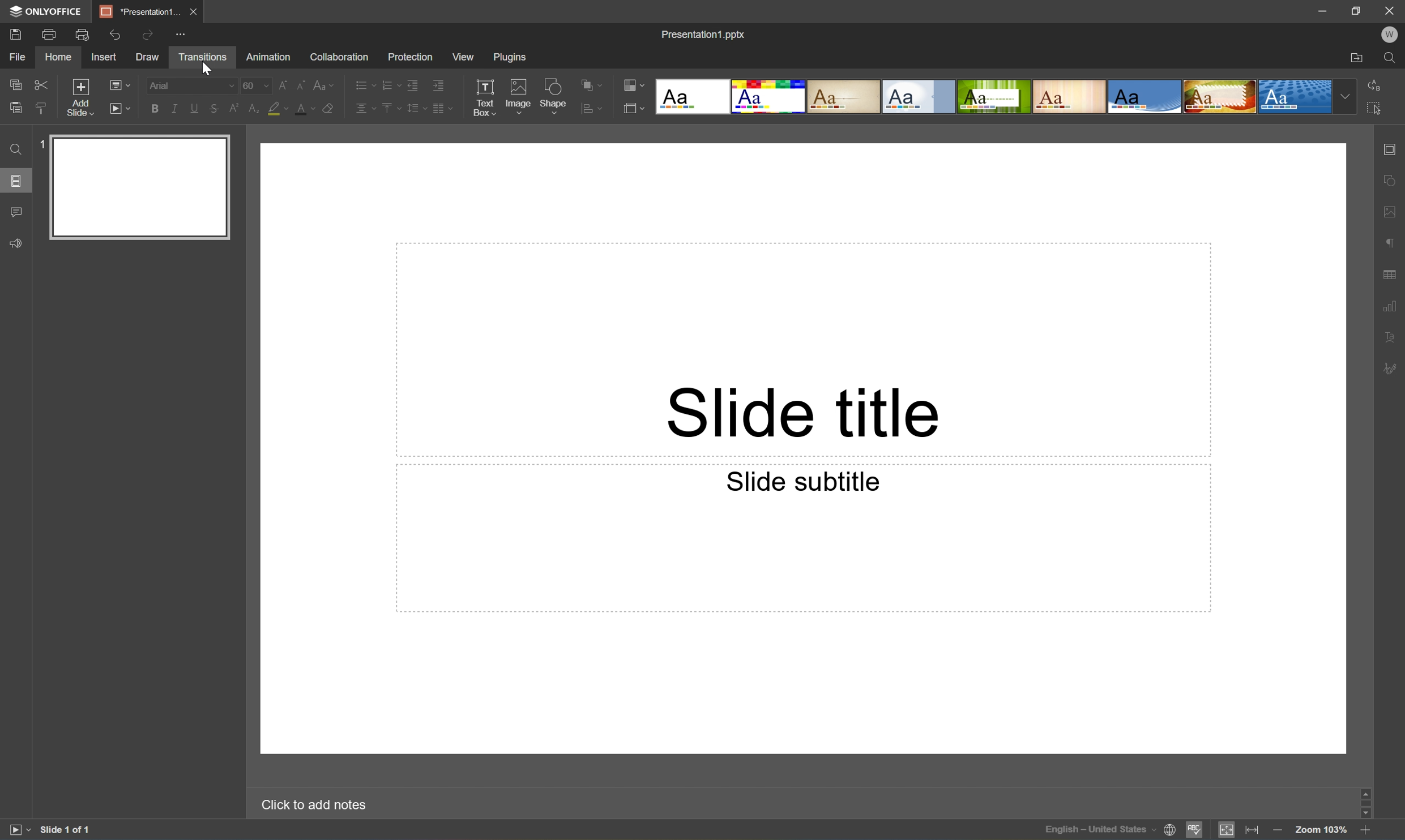  Describe the element at coordinates (156, 109) in the screenshot. I see `Bold` at that location.